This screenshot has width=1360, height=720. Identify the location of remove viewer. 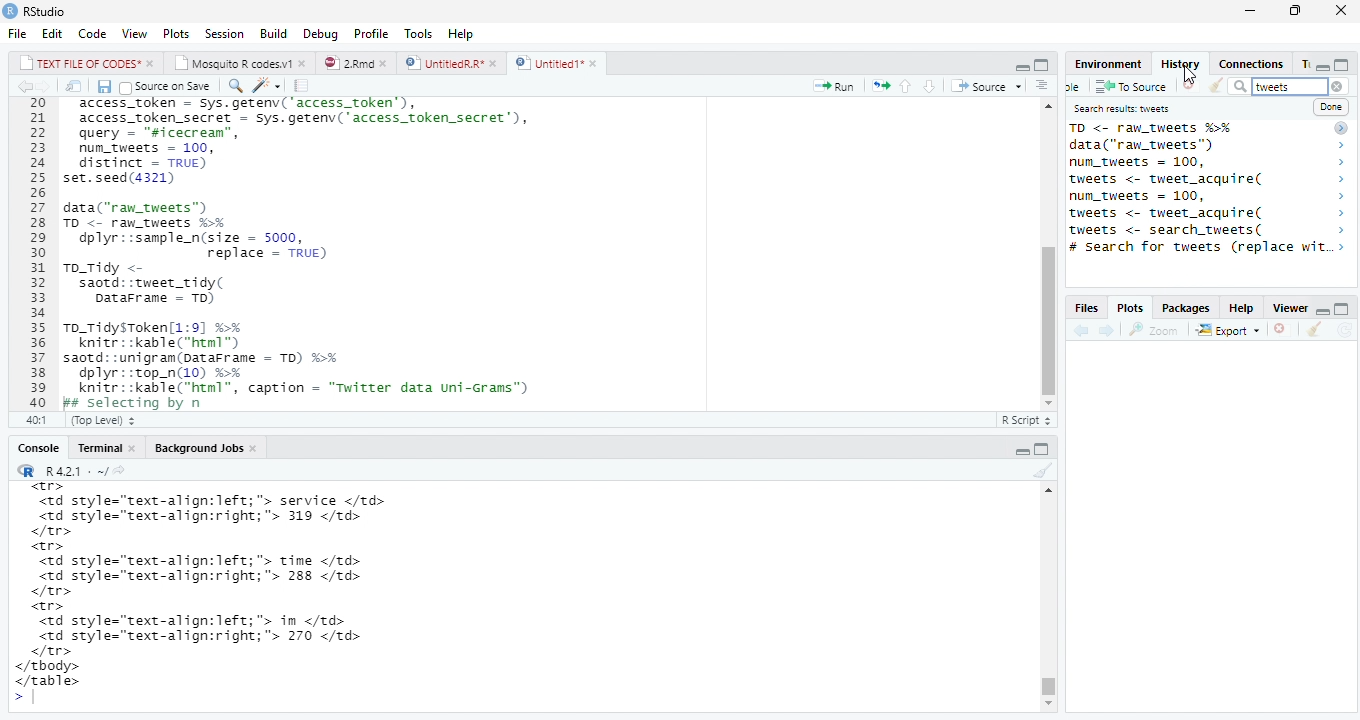
(1285, 330).